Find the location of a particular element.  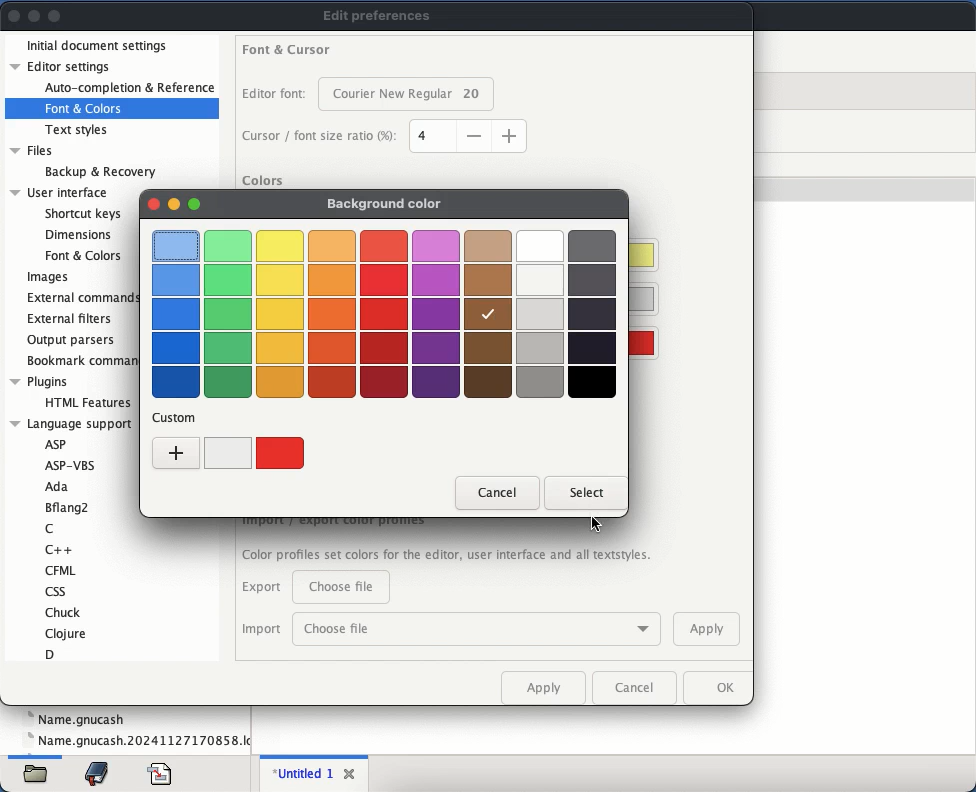

Color profiles set colors for the editor, user Interface and all textstyles. is located at coordinates (449, 556).